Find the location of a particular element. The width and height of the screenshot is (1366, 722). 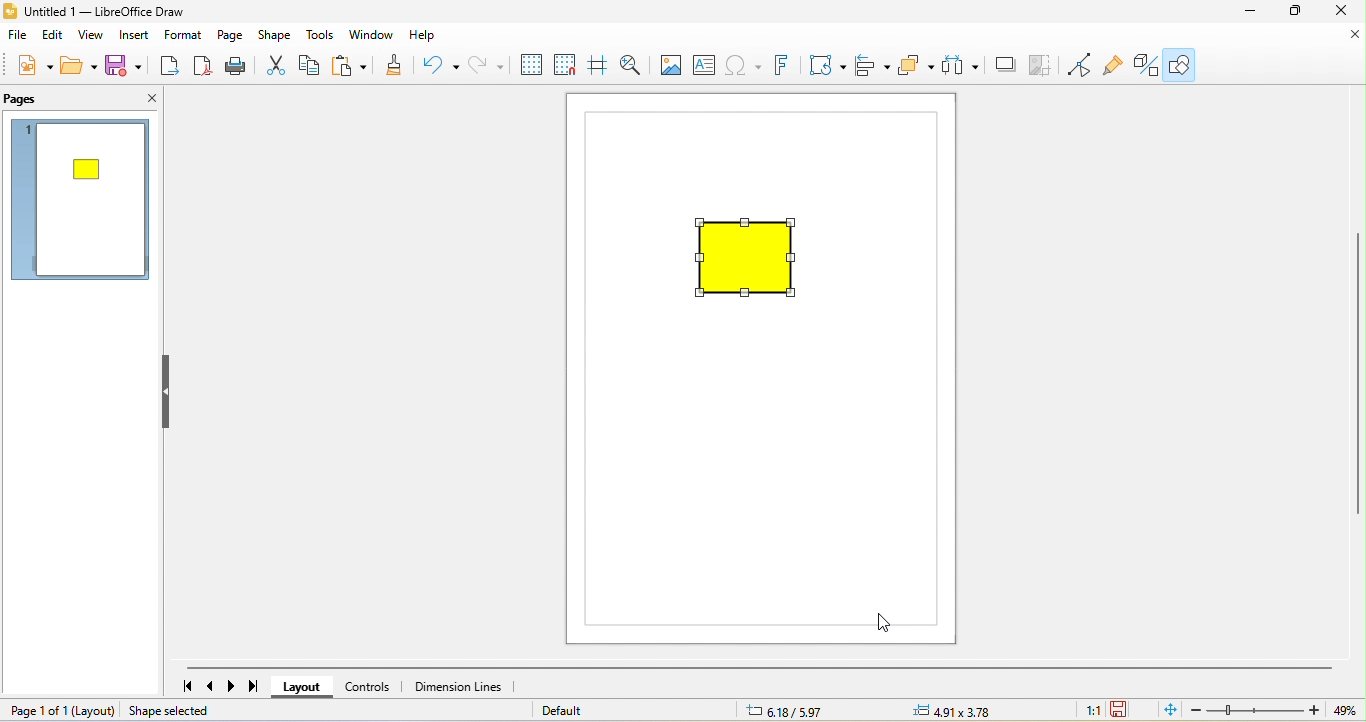

redo is located at coordinates (482, 64).